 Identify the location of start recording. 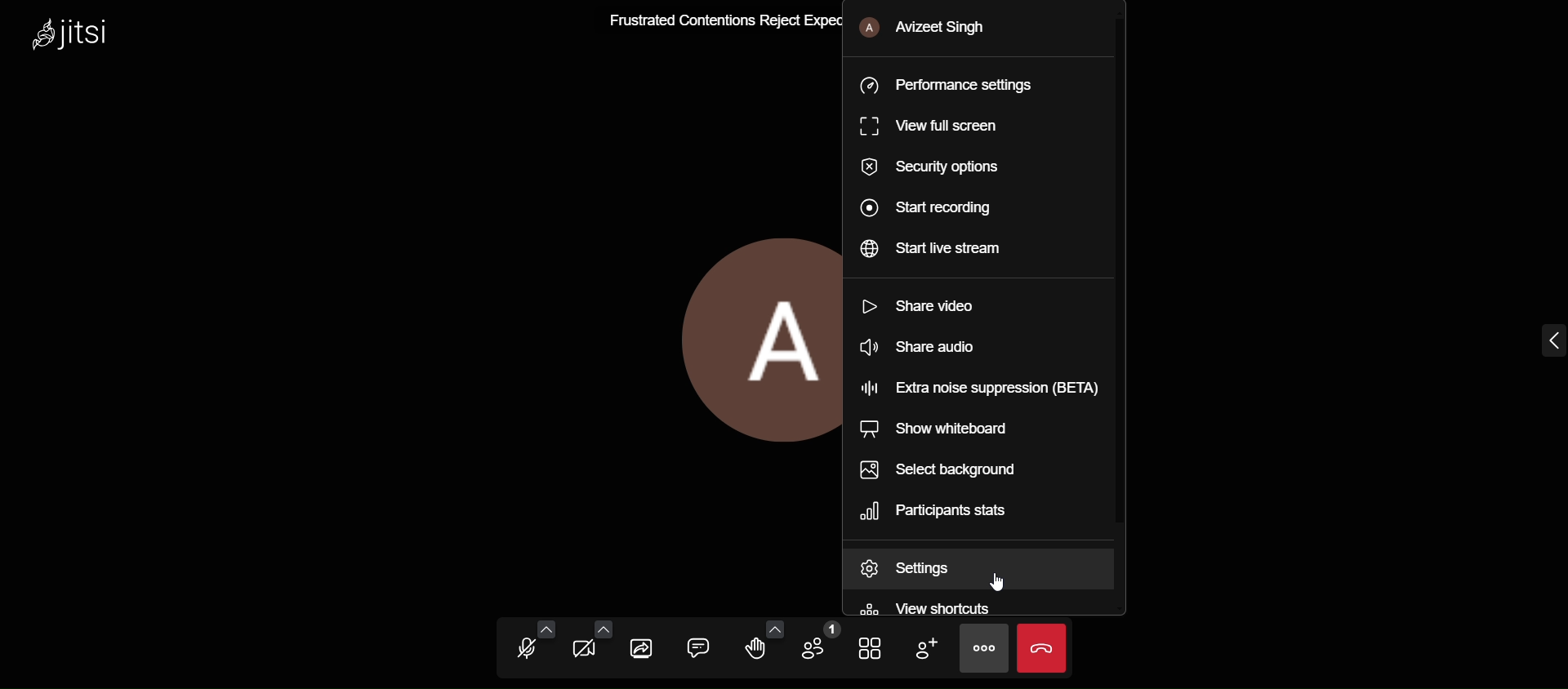
(938, 210).